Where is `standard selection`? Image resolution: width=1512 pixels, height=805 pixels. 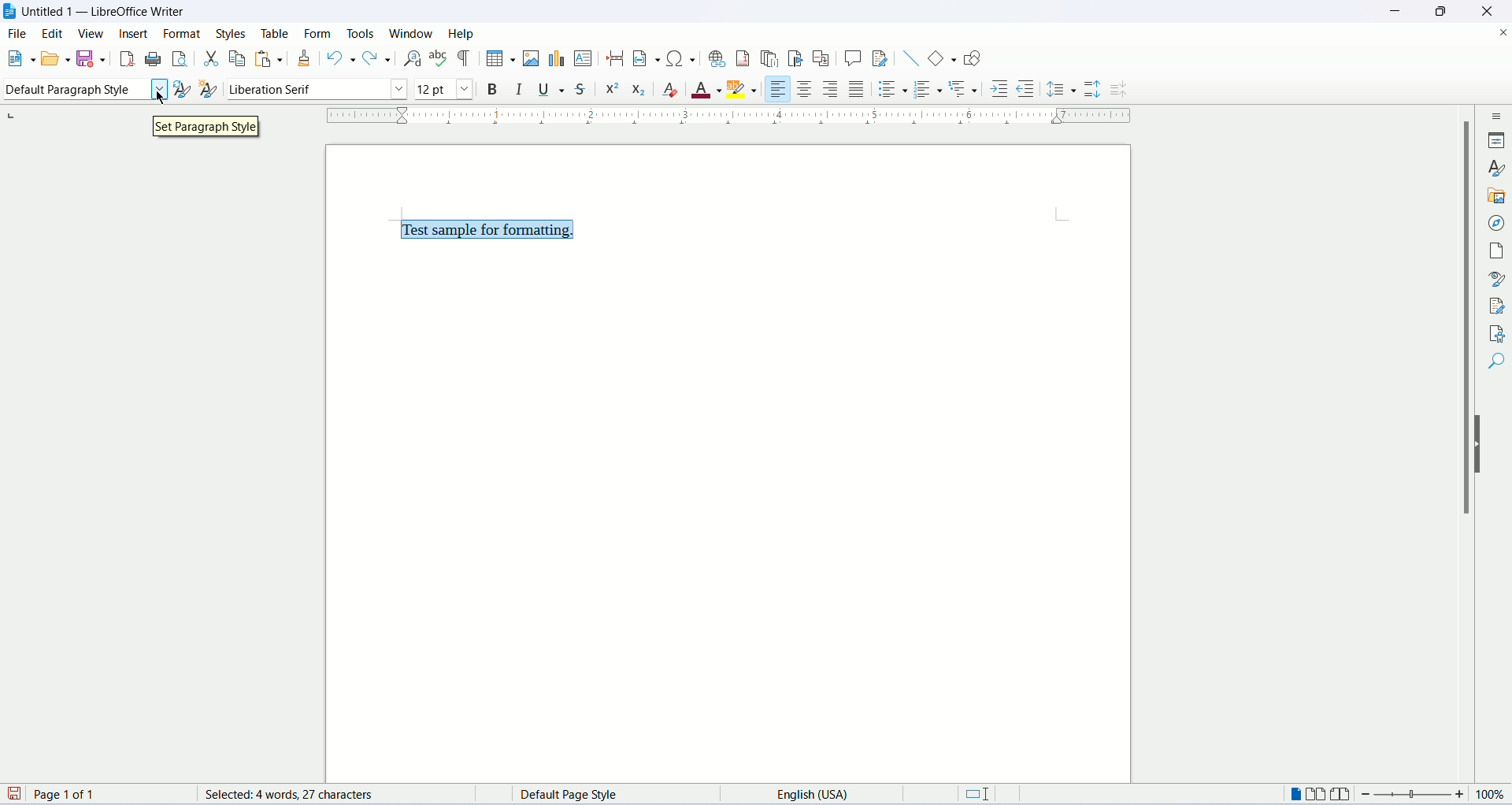 standard selection is located at coordinates (984, 796).